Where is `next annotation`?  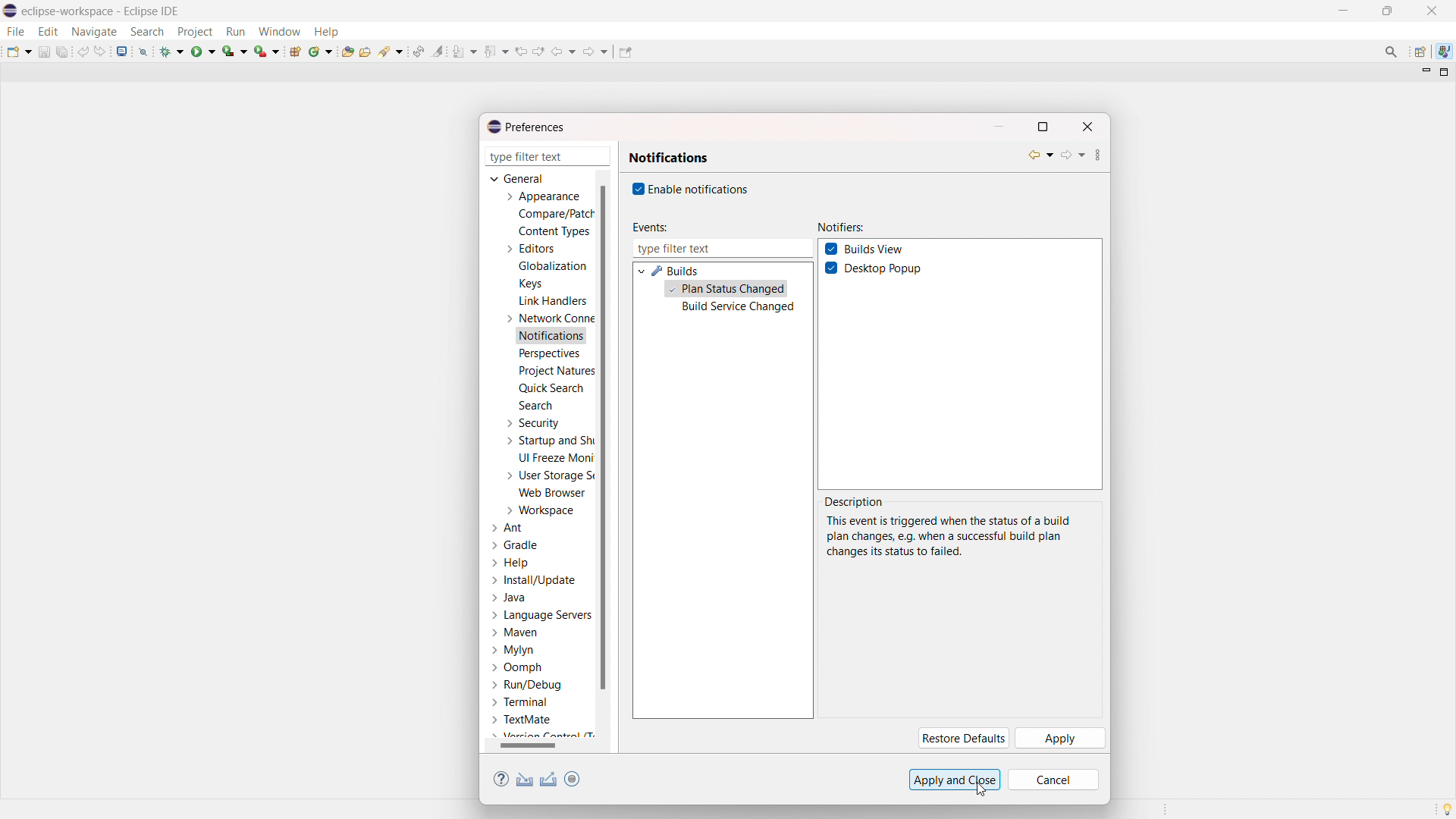
next annotation is located at coordinates (465, 51).